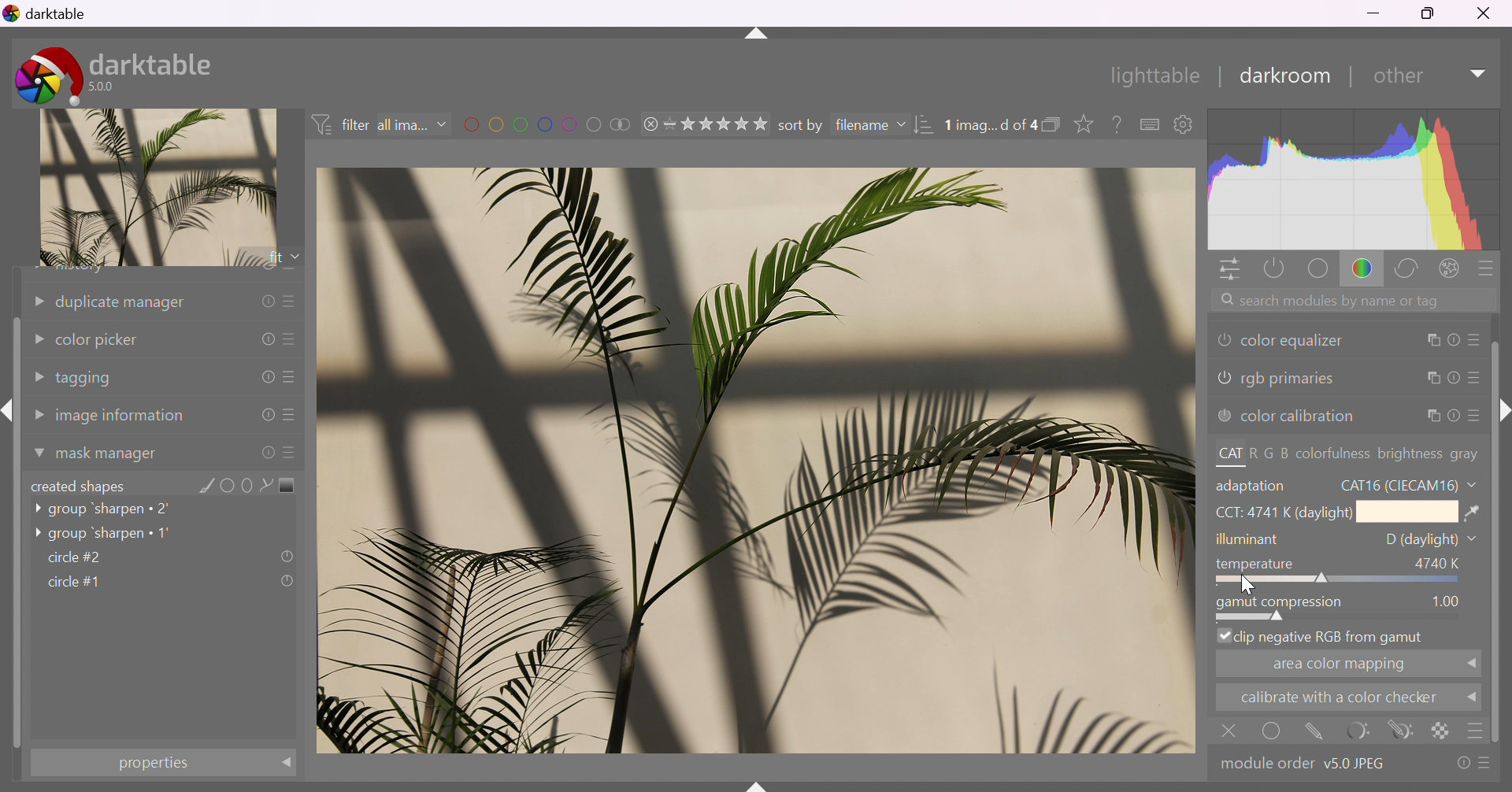  Describe the element at coordinates (799, 125) in the screenshot. I see `sort by` at that location.